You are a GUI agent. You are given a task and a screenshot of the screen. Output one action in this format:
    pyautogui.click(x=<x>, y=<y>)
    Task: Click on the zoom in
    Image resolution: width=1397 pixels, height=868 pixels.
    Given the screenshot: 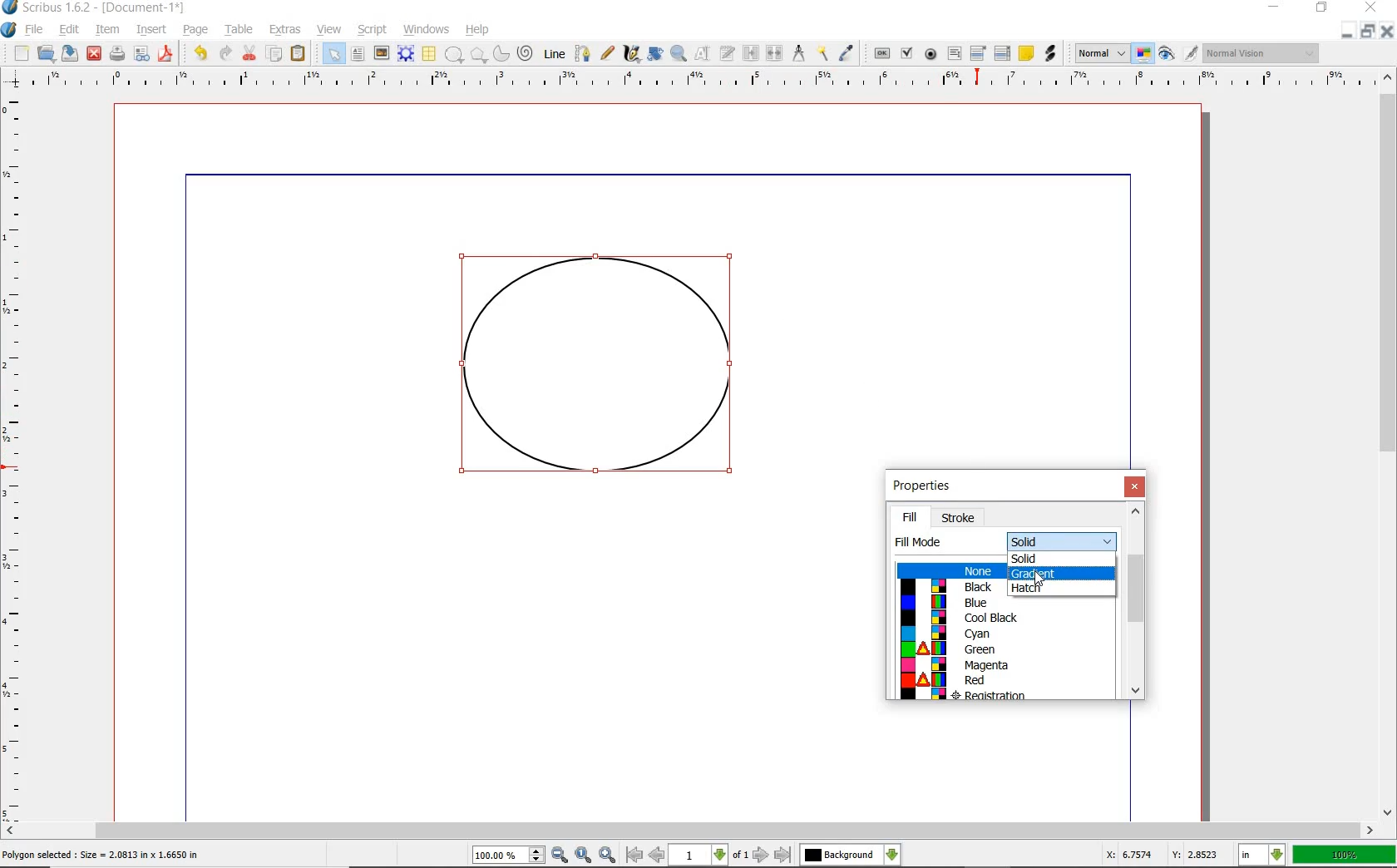 What is the action you would take?
    pyautogui.click(x=609, y=854)
    